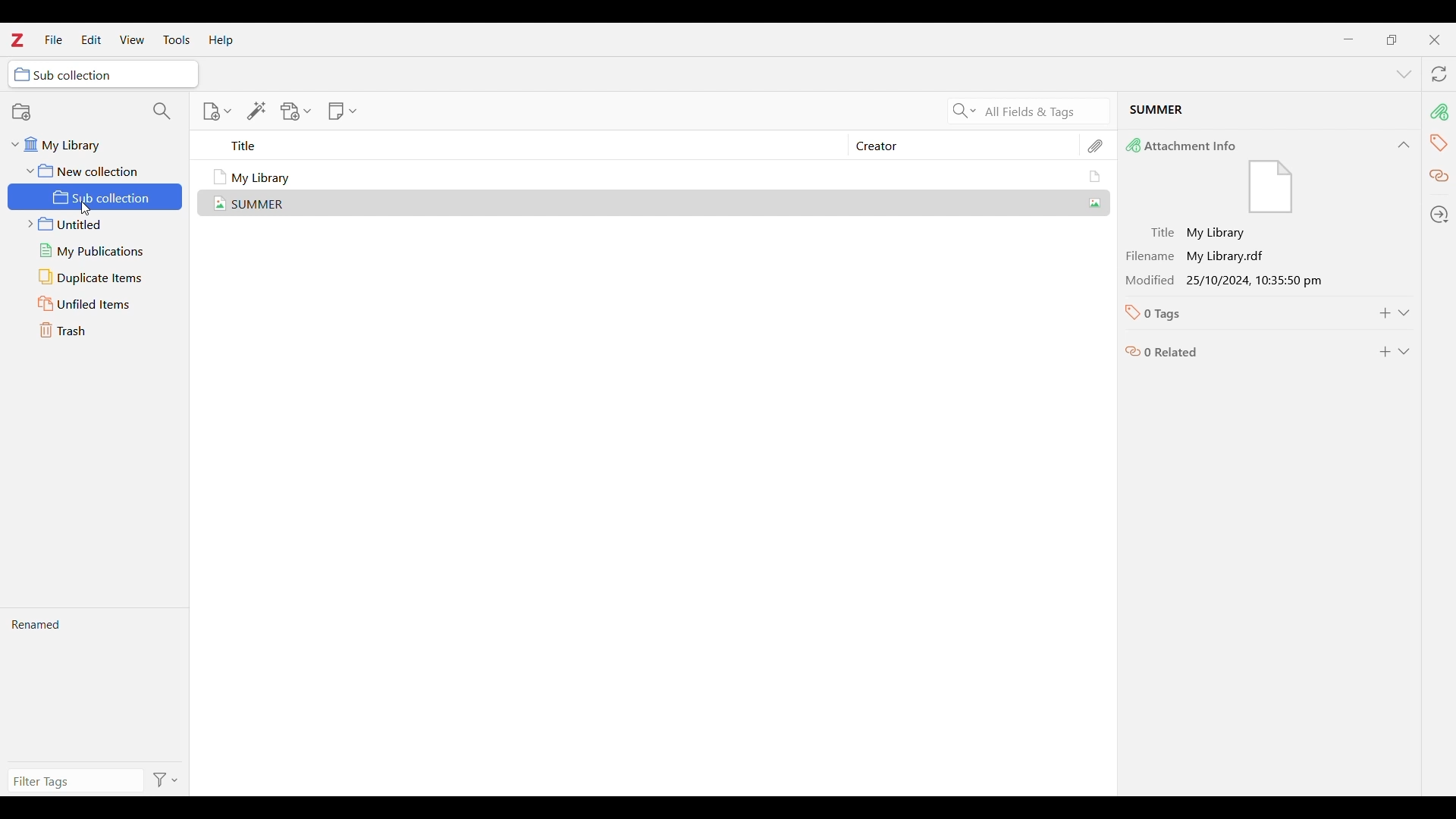 The image size is (1456, 819). Describe the element at coordinates (96, 251) in the screenshot. I see `My publications ` at that location.